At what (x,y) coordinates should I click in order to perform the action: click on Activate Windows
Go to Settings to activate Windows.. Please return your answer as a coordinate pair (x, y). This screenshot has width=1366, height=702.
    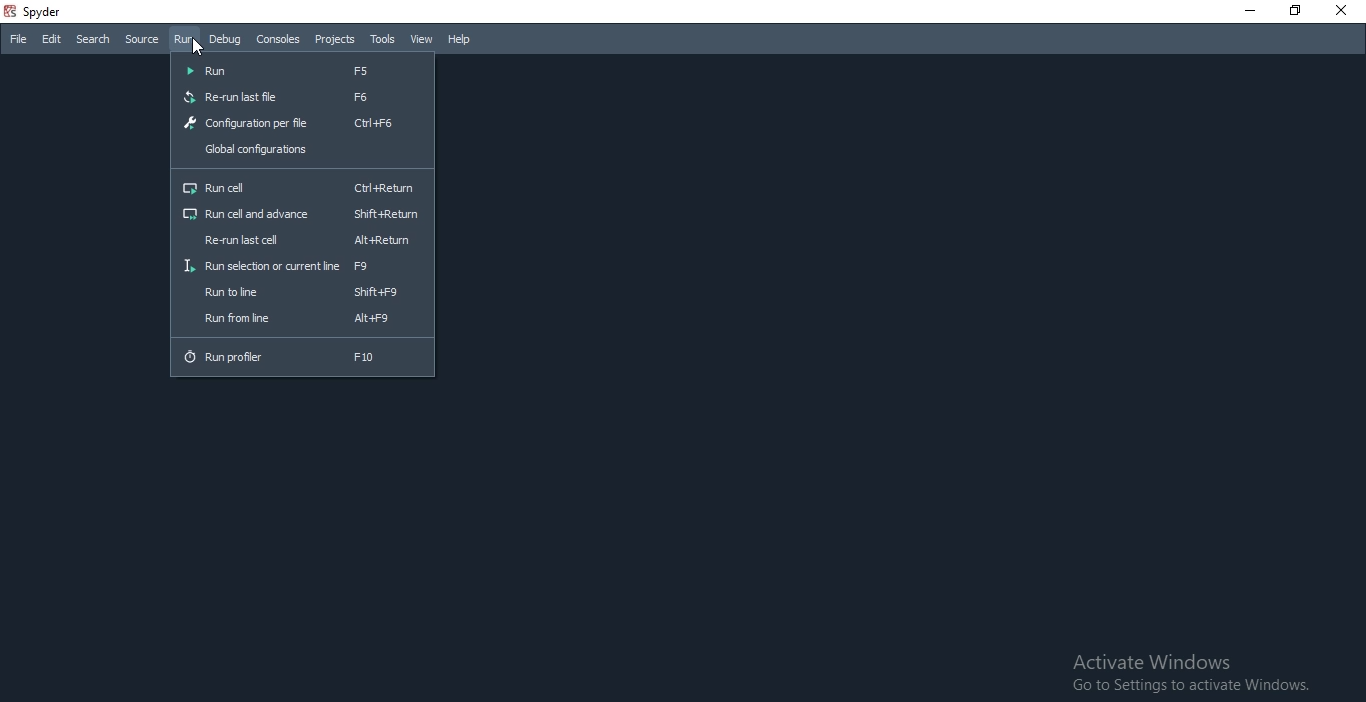
    Looking at the image, I should click on (1189, 674).